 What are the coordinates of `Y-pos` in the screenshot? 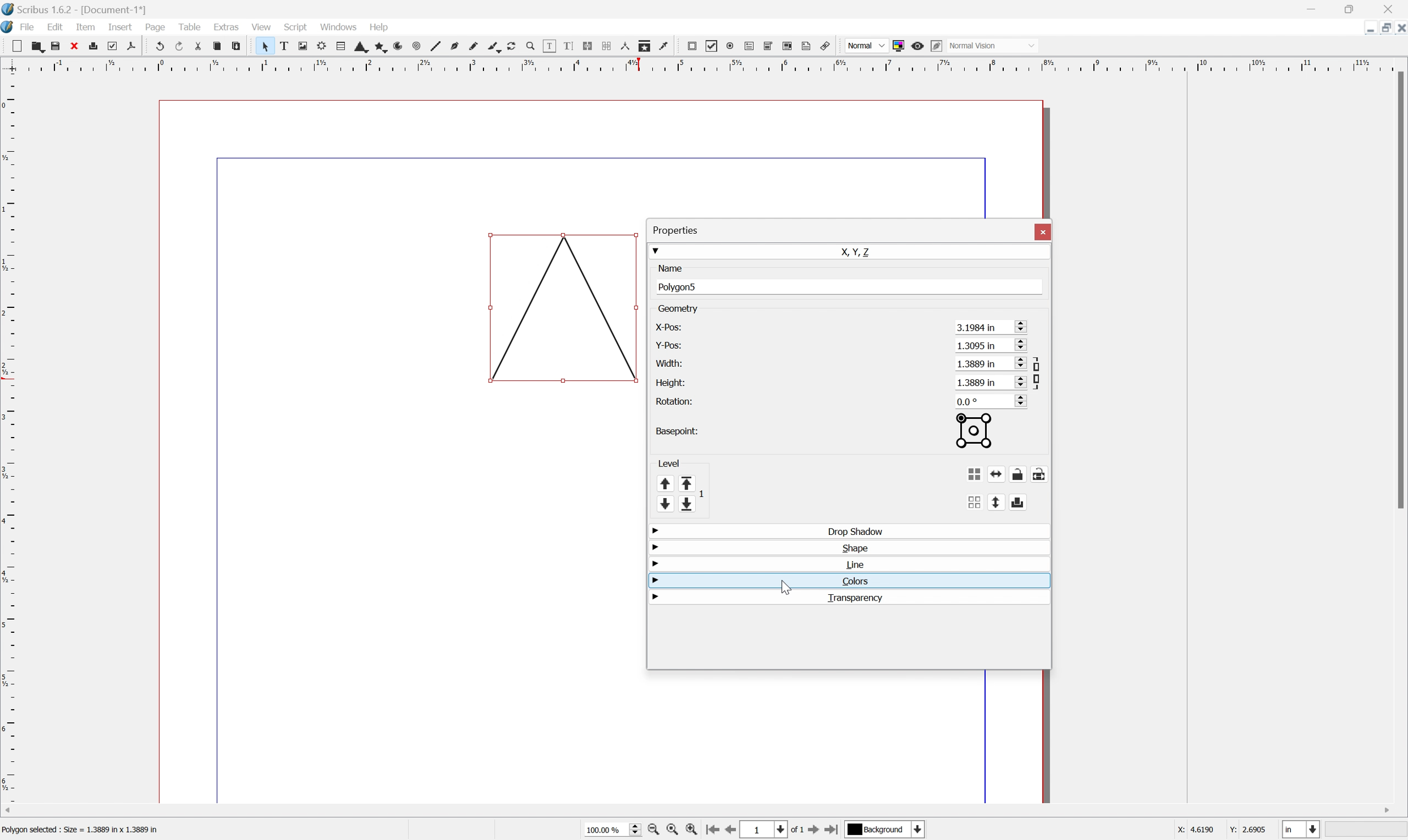 It's located at (667, 344).